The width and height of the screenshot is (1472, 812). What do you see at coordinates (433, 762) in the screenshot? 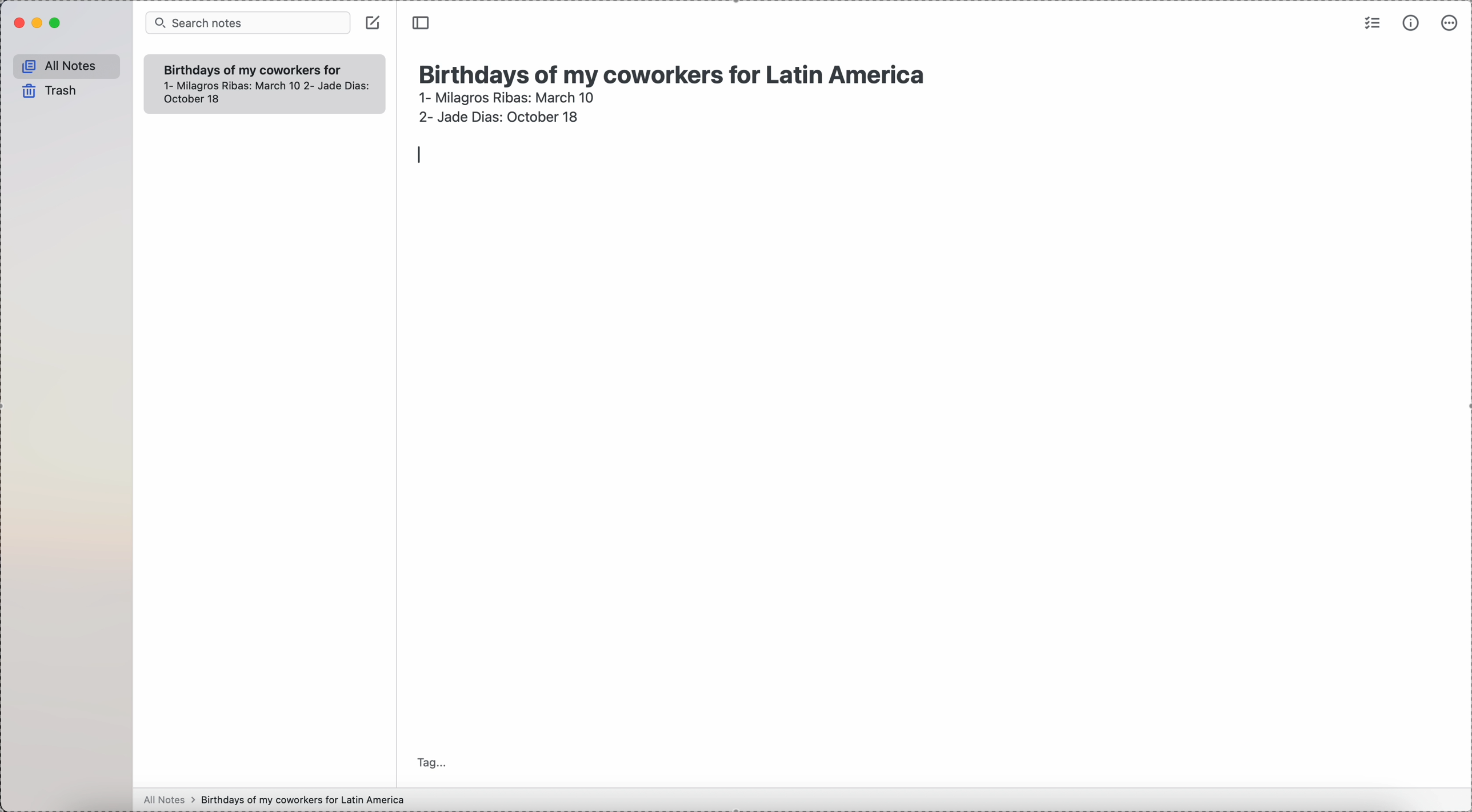
I see `tag` at bounding box center [433, 762].